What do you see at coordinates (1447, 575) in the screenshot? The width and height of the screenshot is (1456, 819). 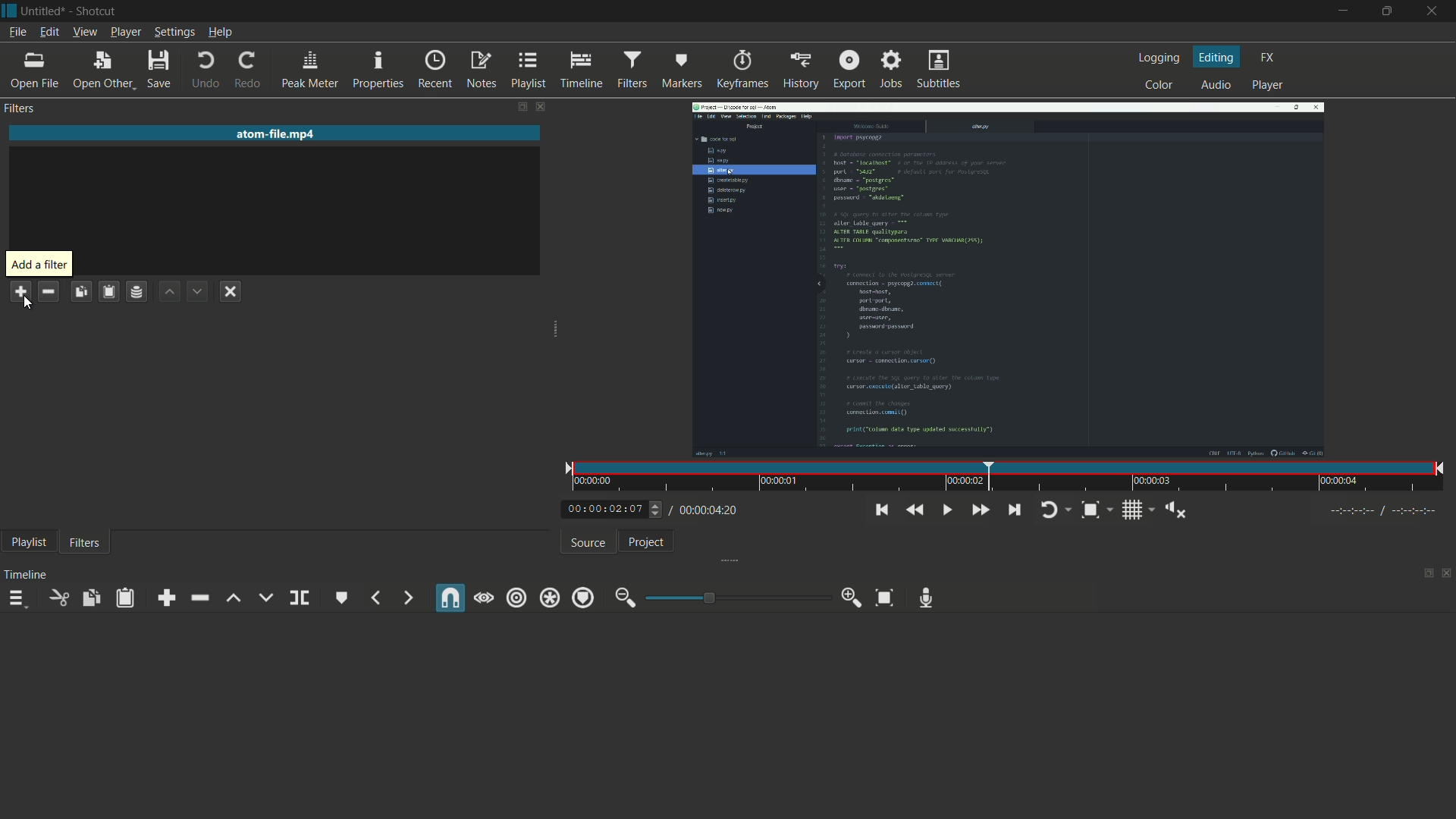 I see `close timeline` at bounding box center [1447, 575].